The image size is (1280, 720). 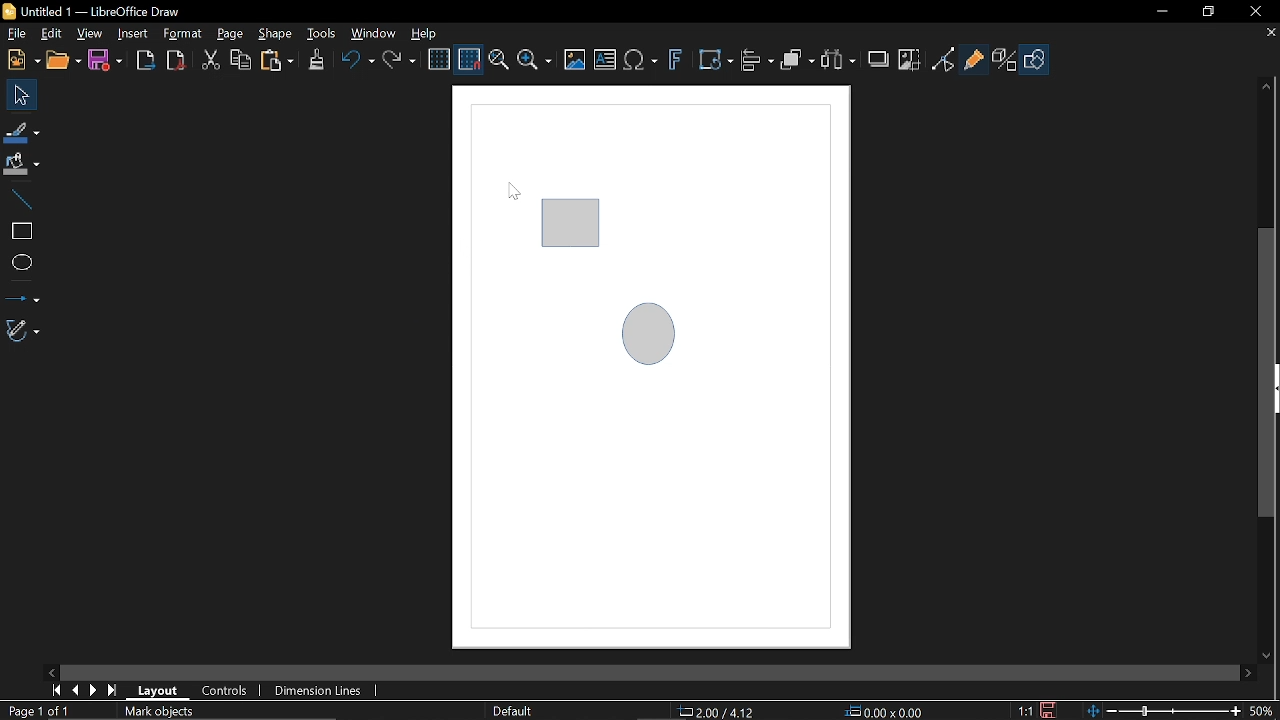 I want to click on Previous page, so click(x=78, y=690).